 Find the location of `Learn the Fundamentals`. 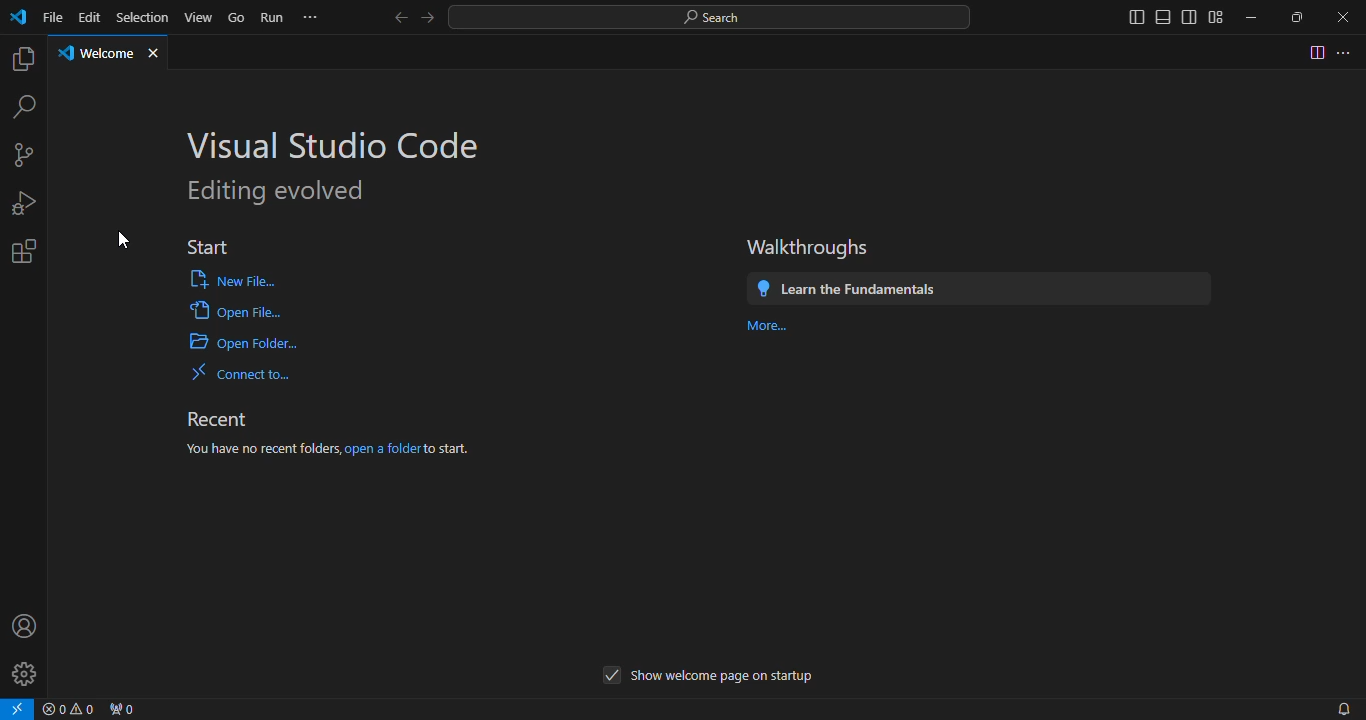

Learn the Fundamentals is located at coordinates (848, 286).